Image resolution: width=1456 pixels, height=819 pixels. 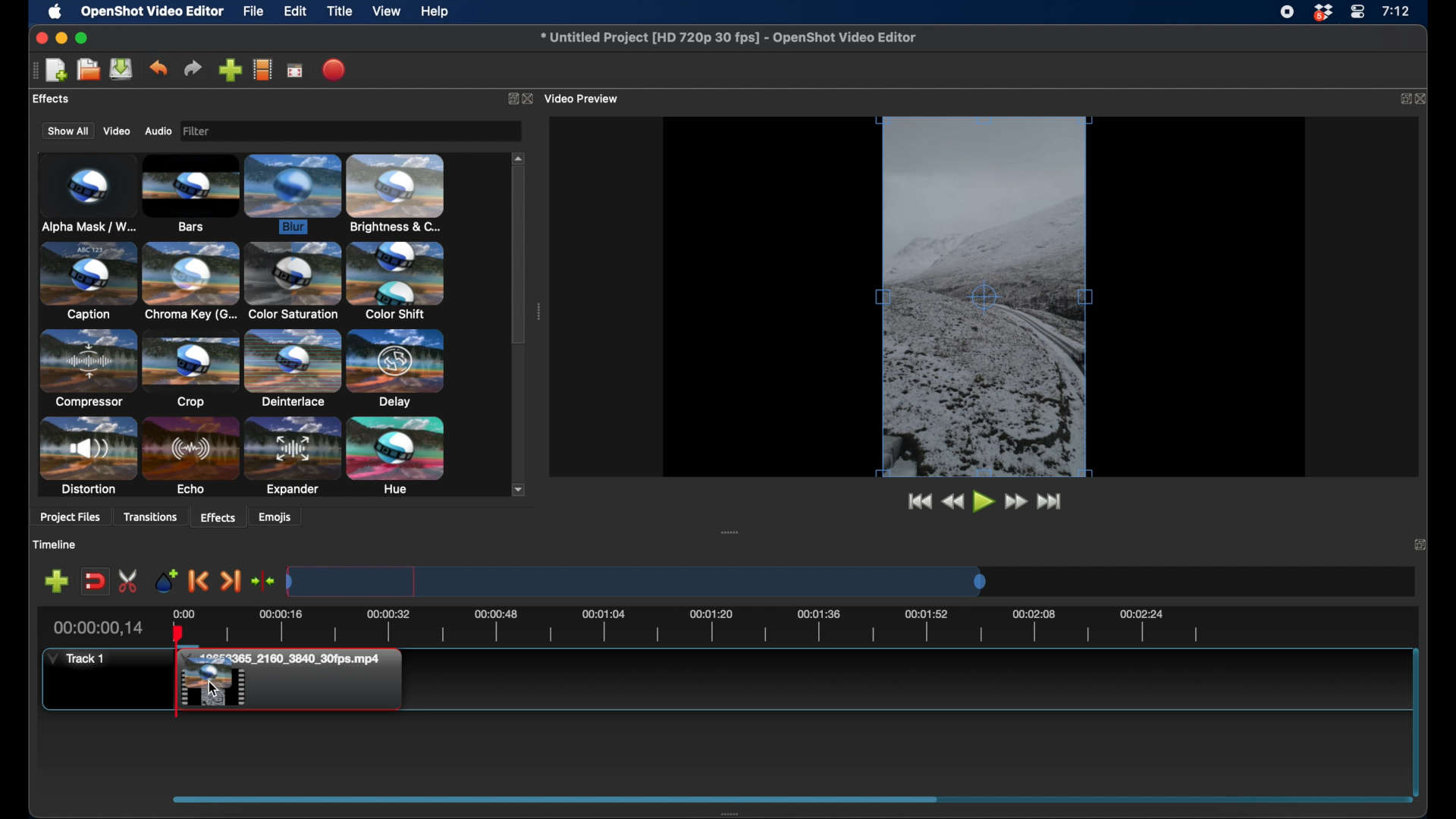 What do you see at coordinates (1287, 12) in the screenshot?
I see `screen recorder icon` at bounding box center [1287, 12].